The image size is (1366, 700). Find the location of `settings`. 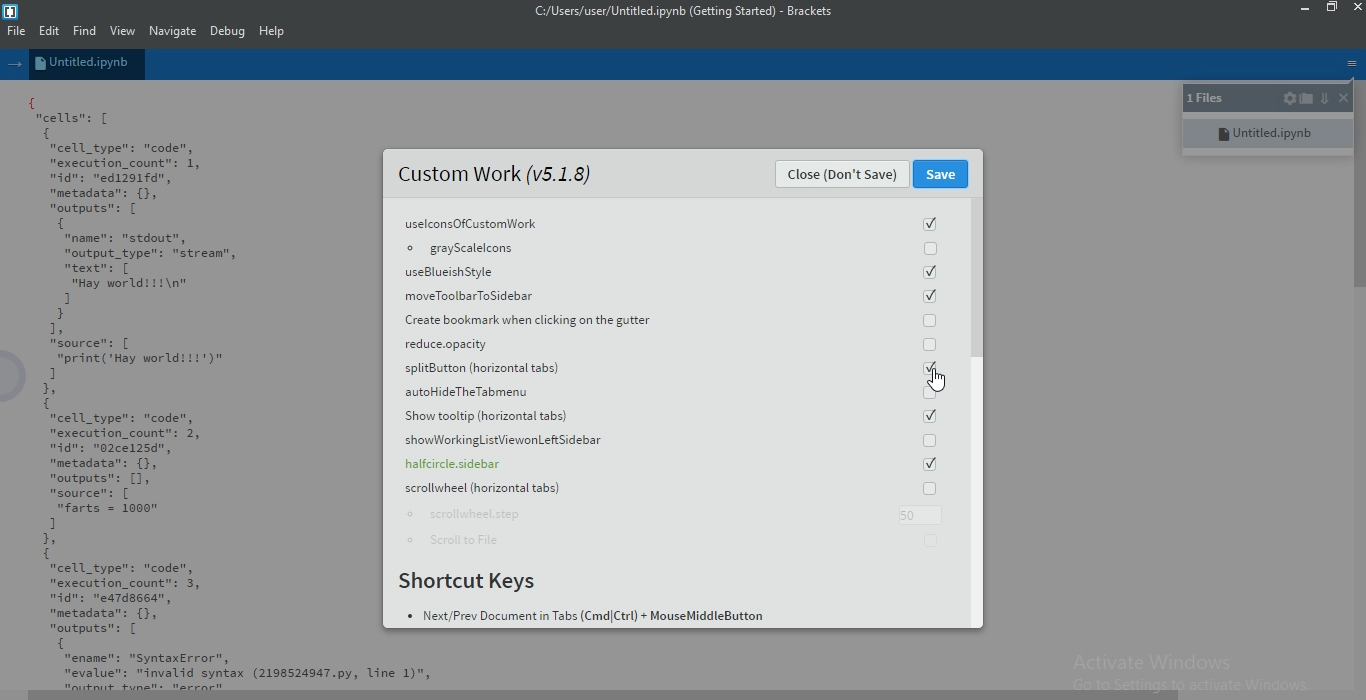

settings is located at coordinates (1288, 99).